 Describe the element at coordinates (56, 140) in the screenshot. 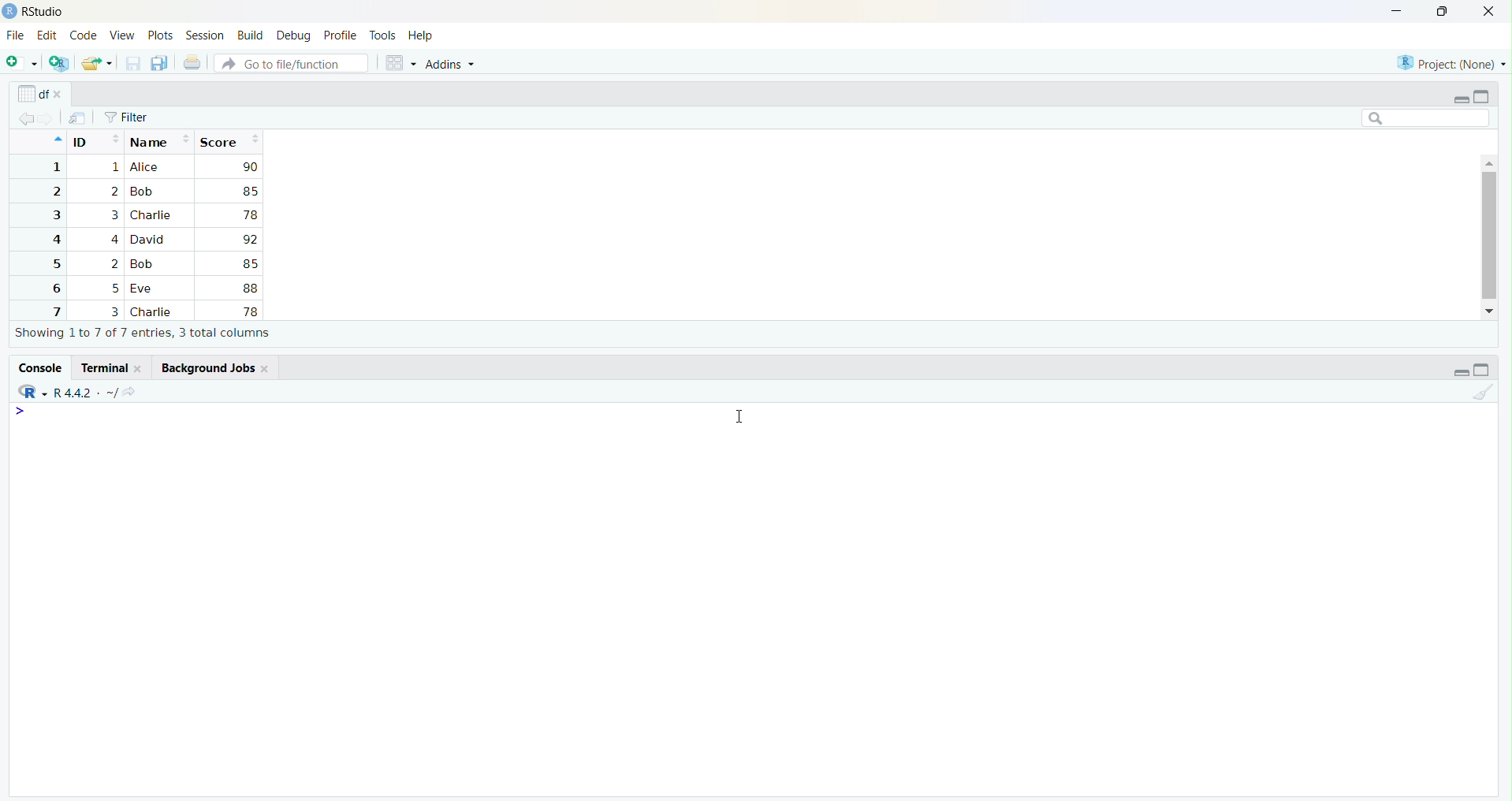

I see `up` at that location.